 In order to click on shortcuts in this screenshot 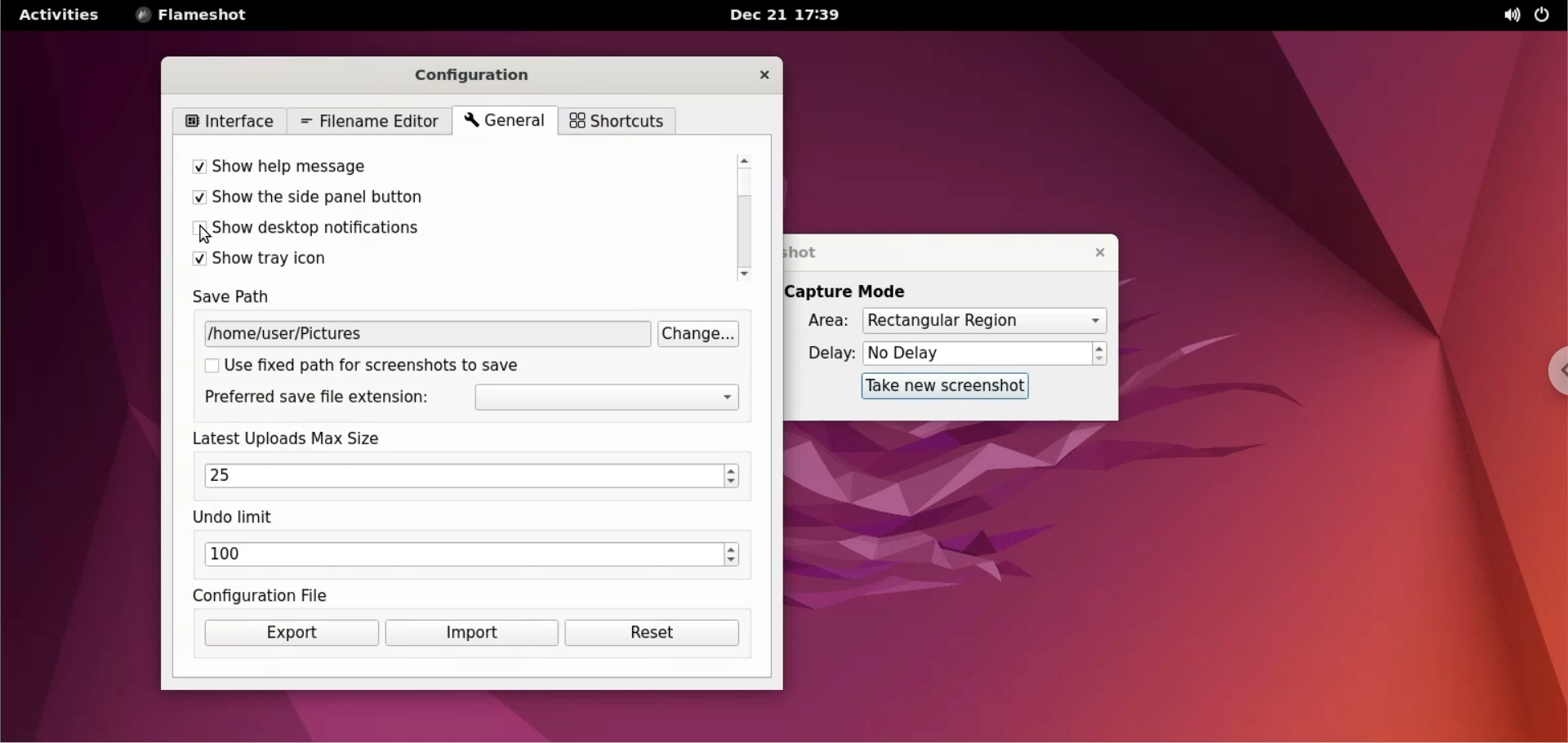, I will do `click(616, 122)`.